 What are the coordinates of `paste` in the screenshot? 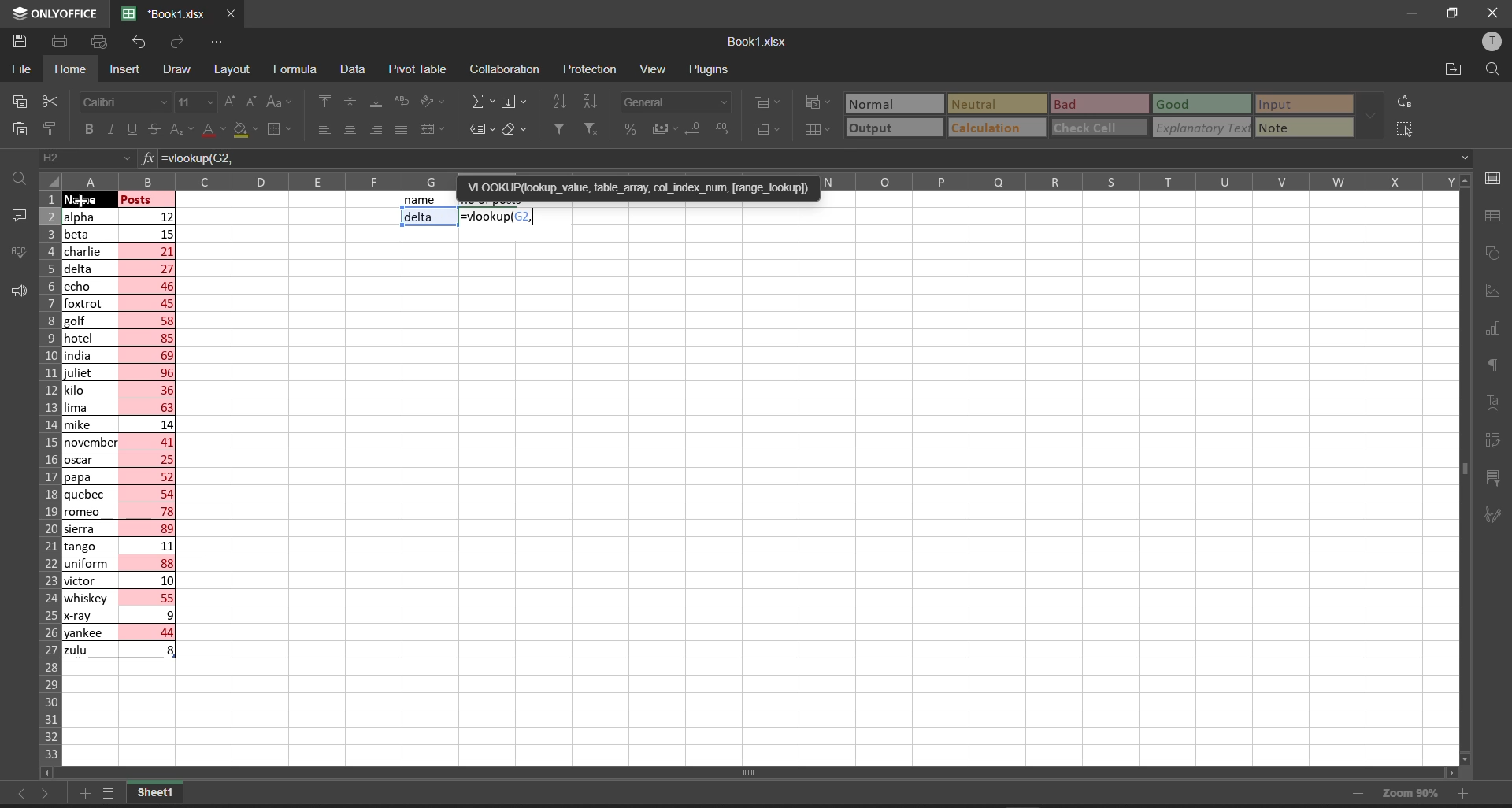 It's located at (16, 128).